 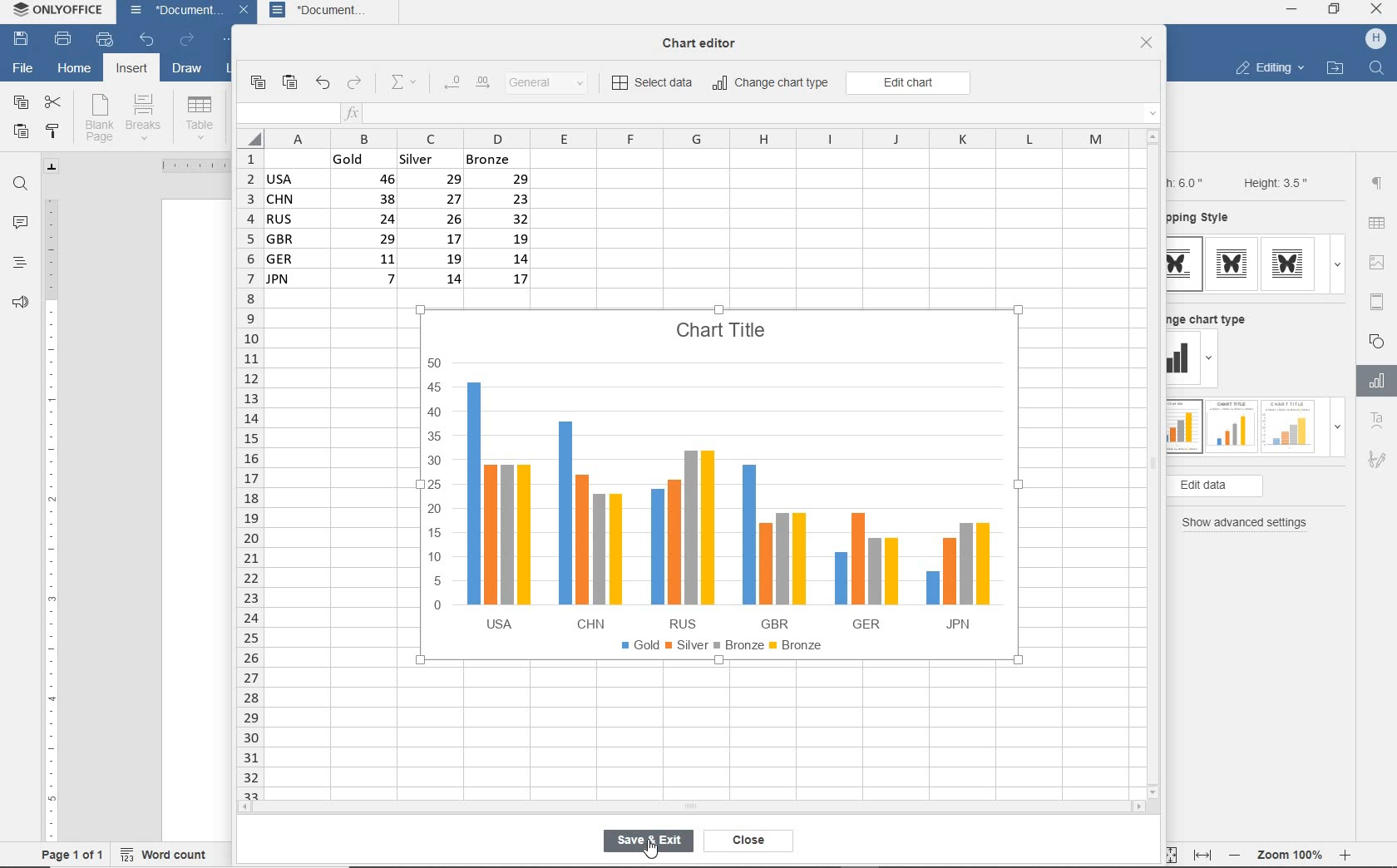 What do you see at coordinates (1167, 854) in the screenshot?
I see `fit to page` at bounding box center [1167, 854].